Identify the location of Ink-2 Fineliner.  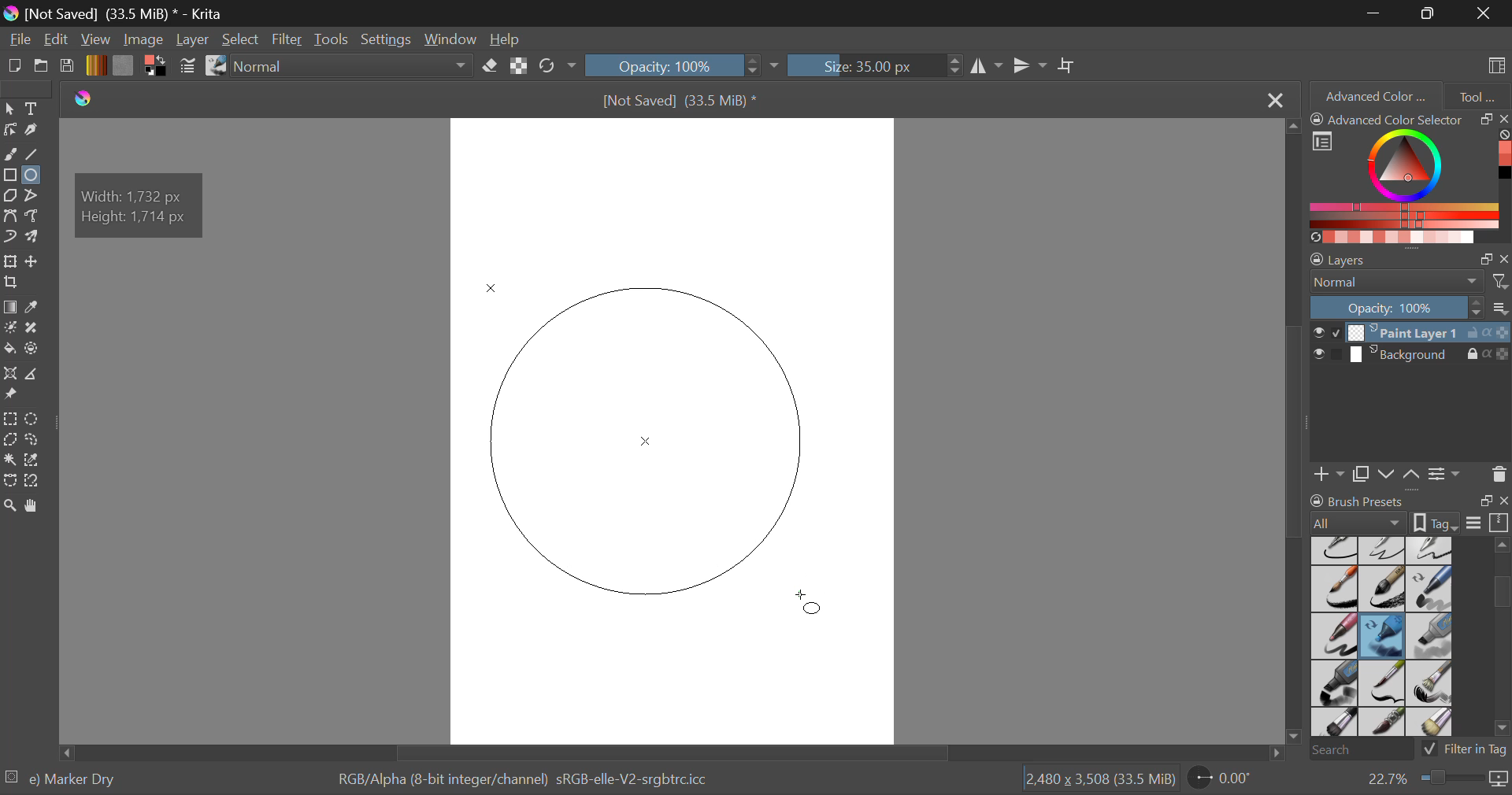
(1336, 549).